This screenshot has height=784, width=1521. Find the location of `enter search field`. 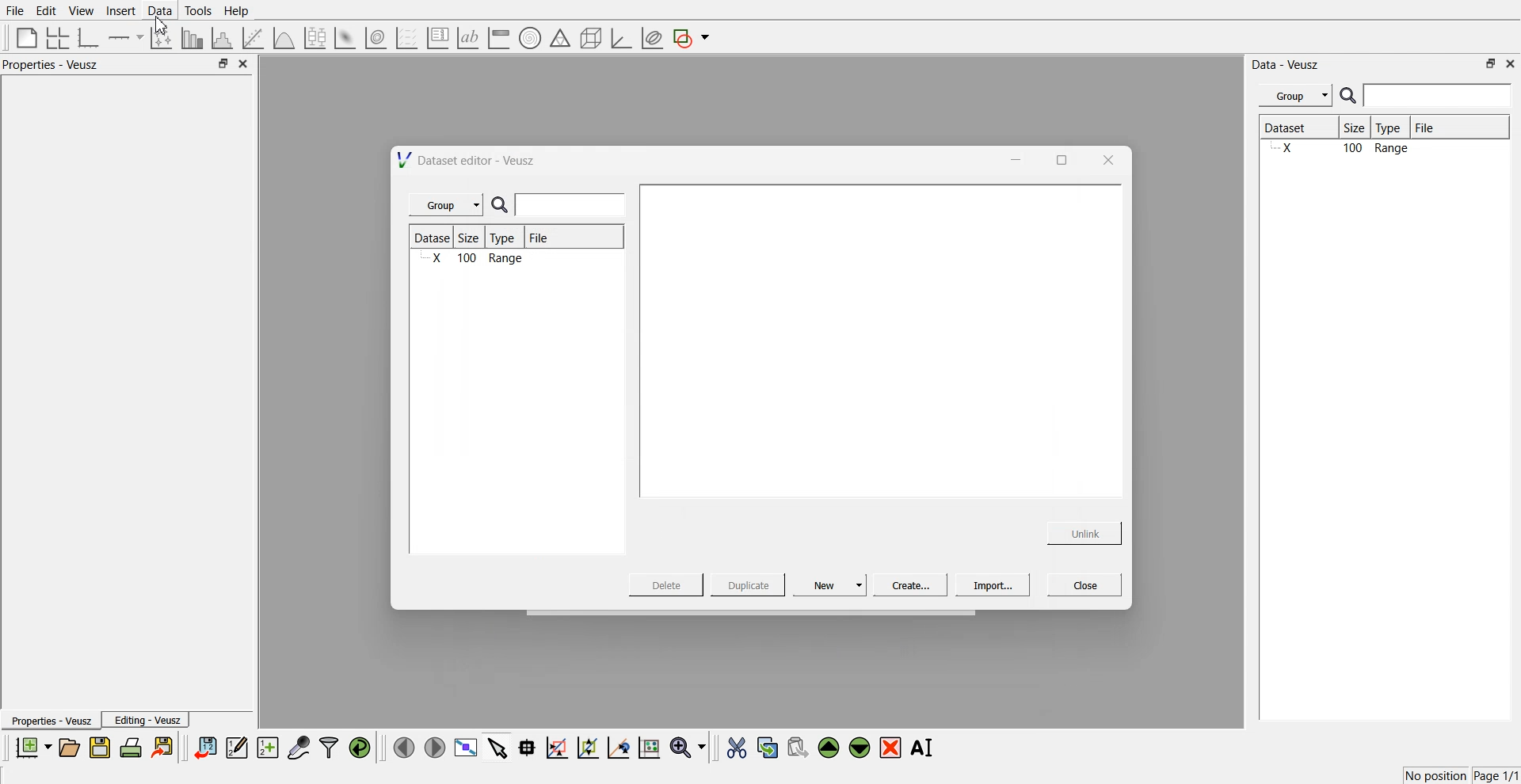

enter search field is located at coordinates (1439, 96).